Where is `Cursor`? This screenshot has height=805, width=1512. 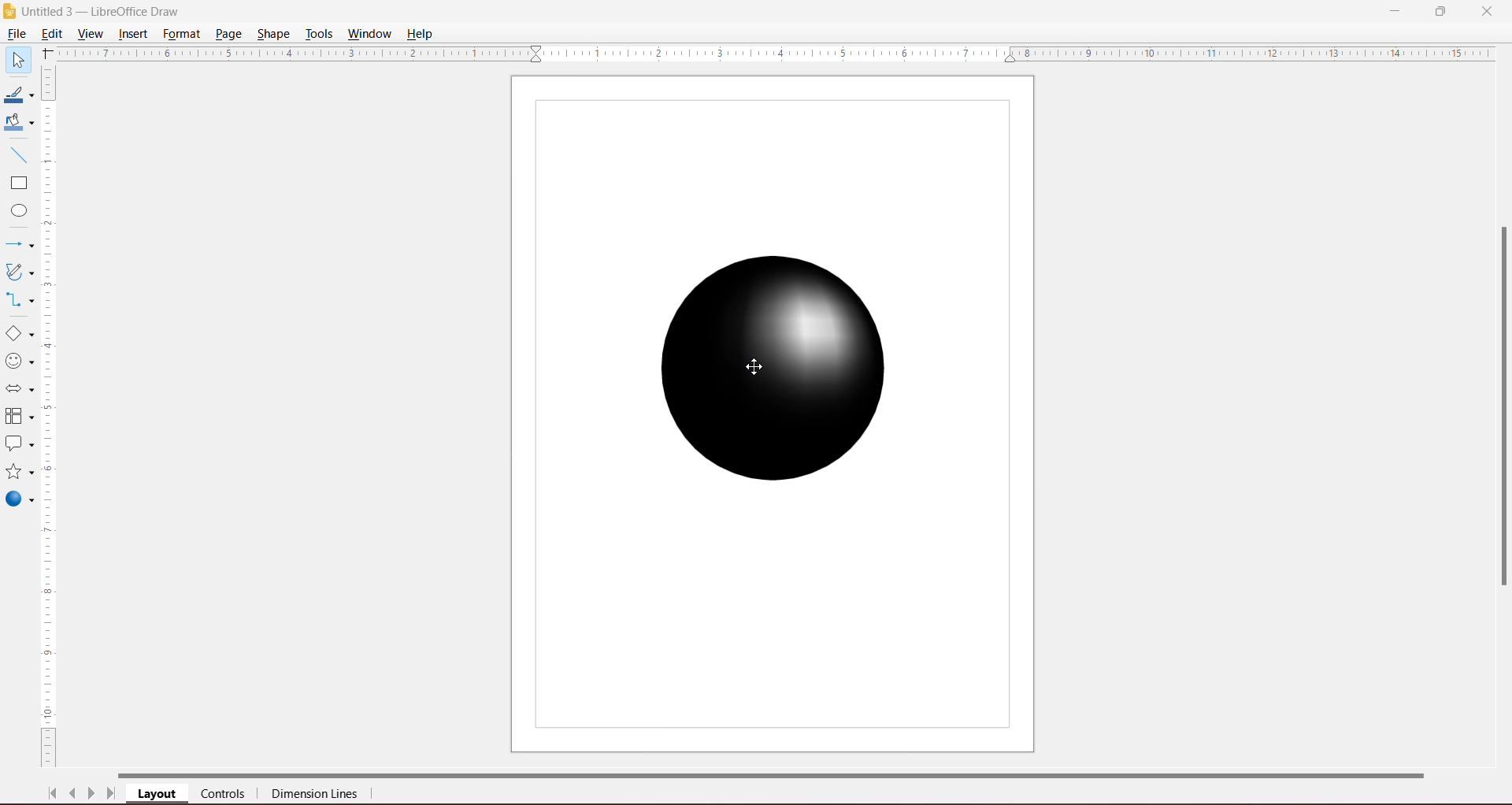
Cursor is located at coordinates (755, 365).